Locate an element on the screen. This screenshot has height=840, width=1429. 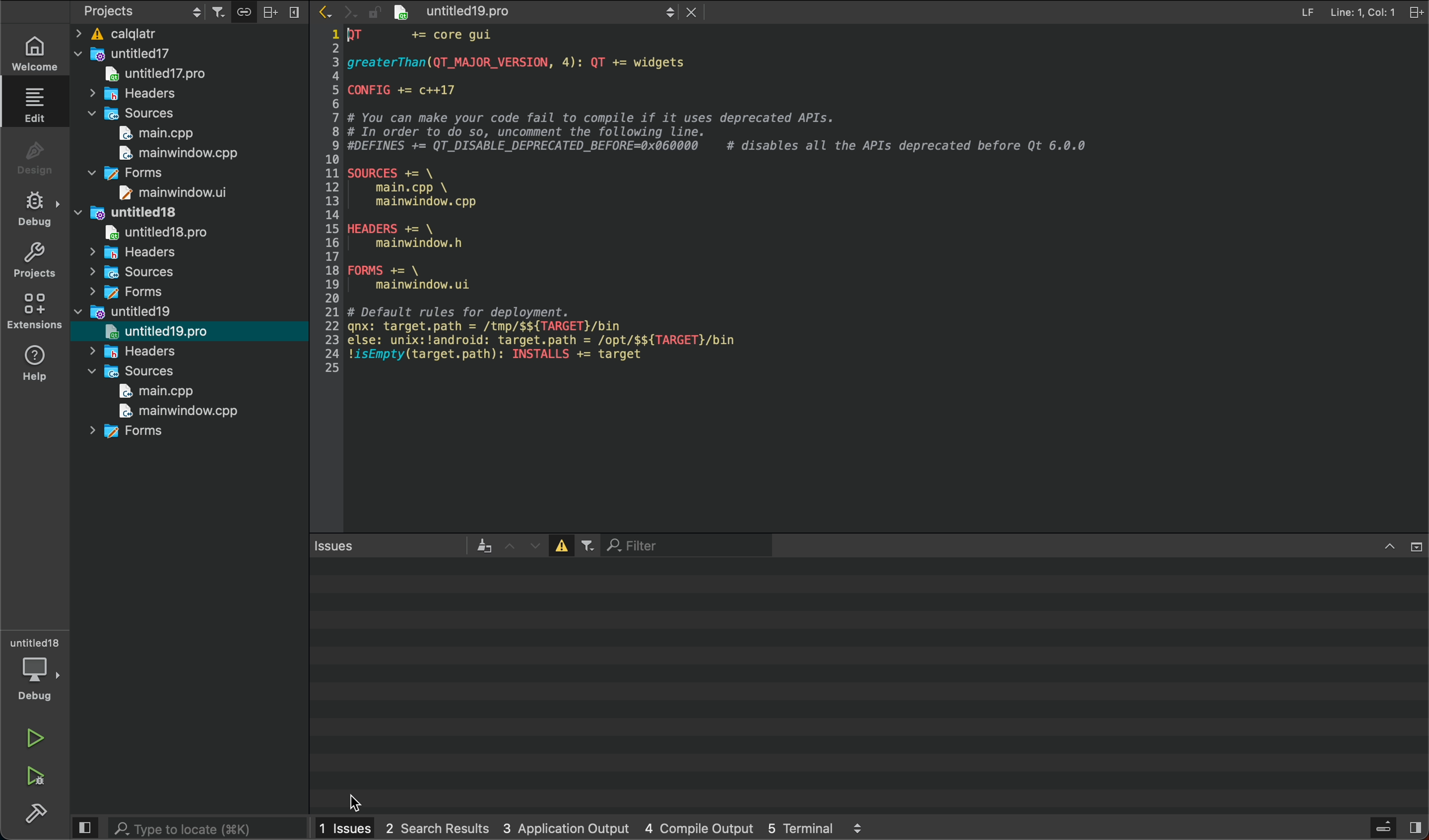
error is located at coordinates (558, 545).